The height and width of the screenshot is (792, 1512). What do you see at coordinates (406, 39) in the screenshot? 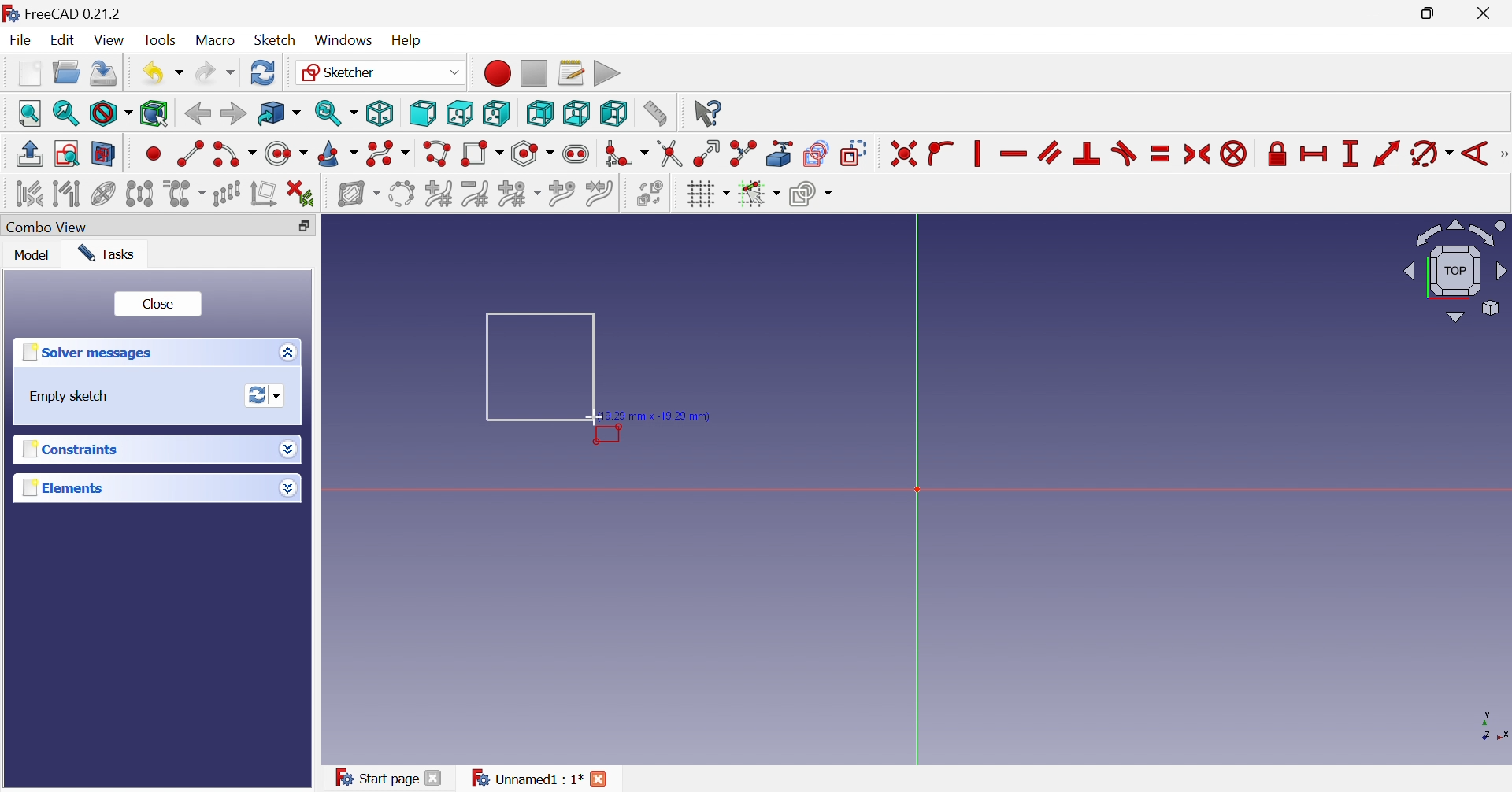
I see `Help` at bounding box center [406, 39].